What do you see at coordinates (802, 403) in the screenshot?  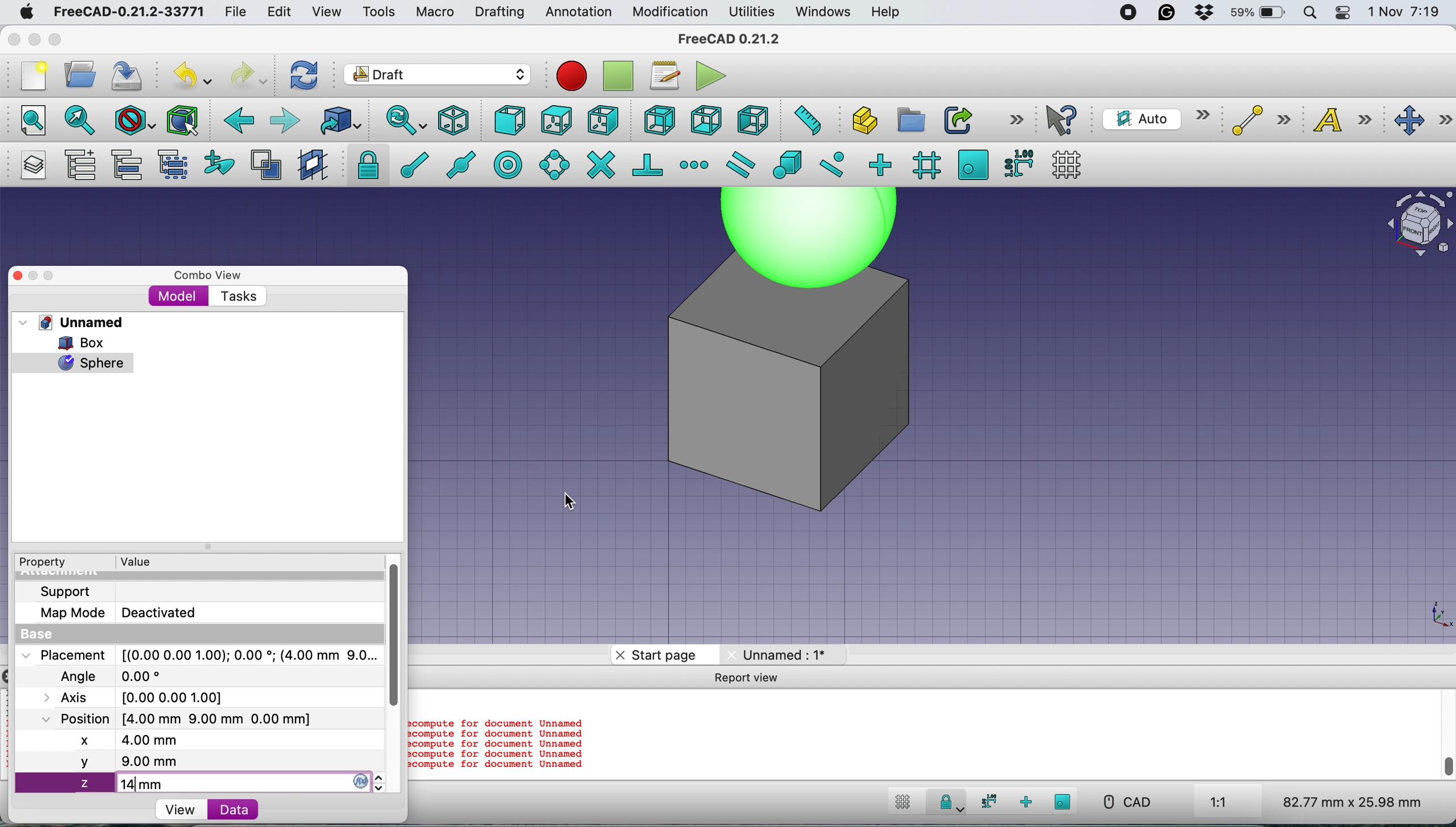 I see `sphere over box` at bounding box center [802, 403].